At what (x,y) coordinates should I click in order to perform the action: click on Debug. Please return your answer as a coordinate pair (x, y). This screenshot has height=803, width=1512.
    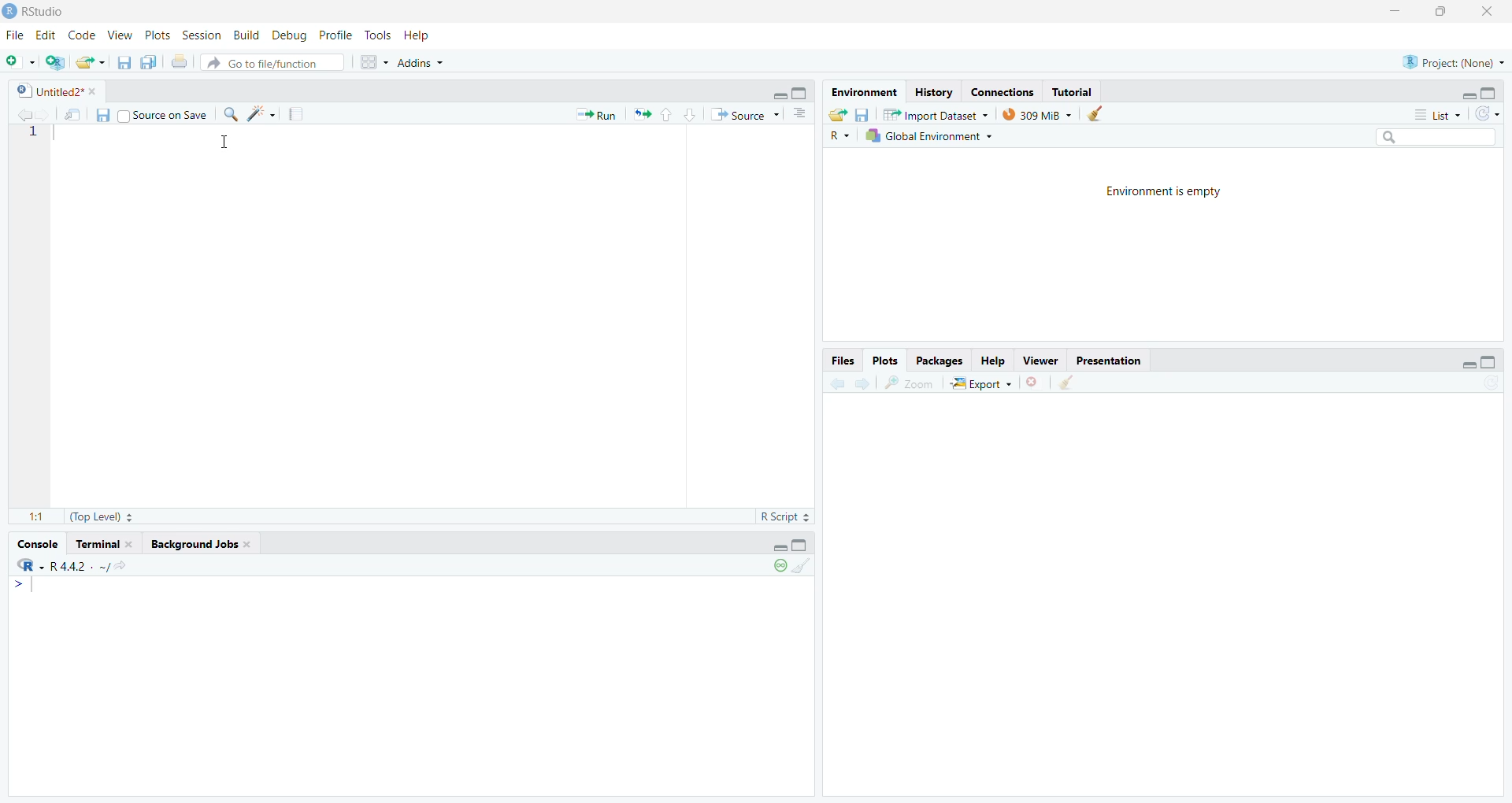
    Looking at the image, I should click on (287, 38).